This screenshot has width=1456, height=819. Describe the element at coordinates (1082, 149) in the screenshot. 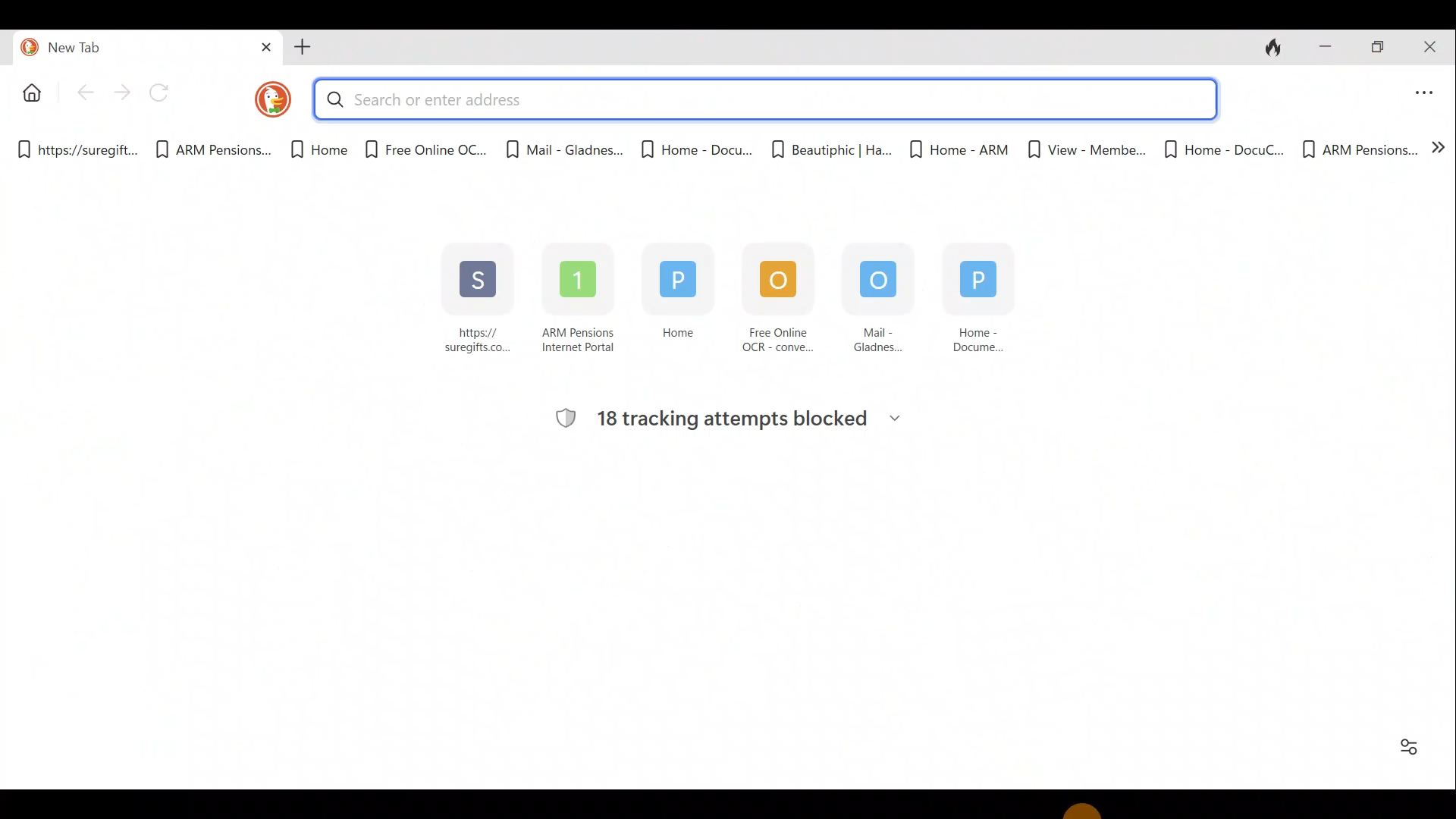

I see `View - Membe...` at that location.